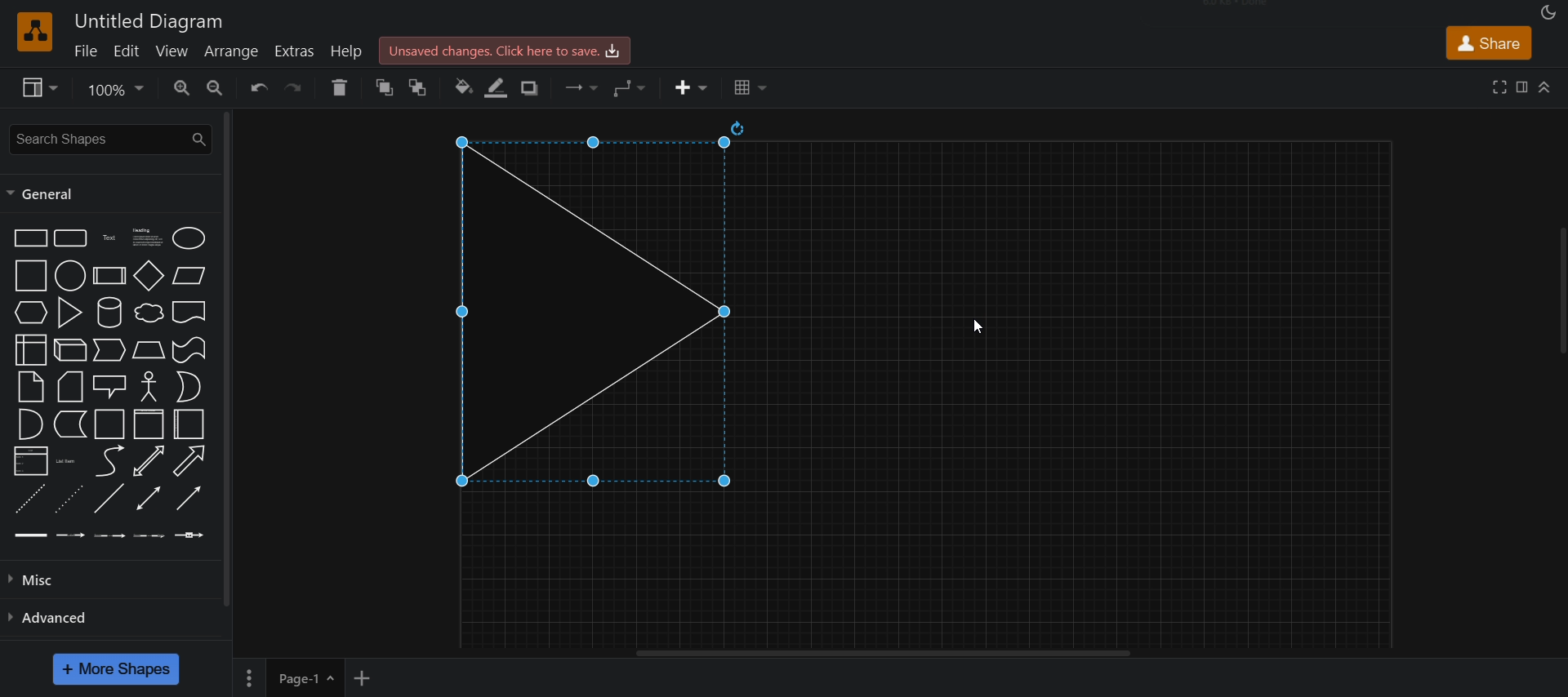 The height and width of the screenshot is (697, 1568). What do you see at coordinates (32, 31) in the screenshot?
I see `logo` at bounding box center [32, 31].